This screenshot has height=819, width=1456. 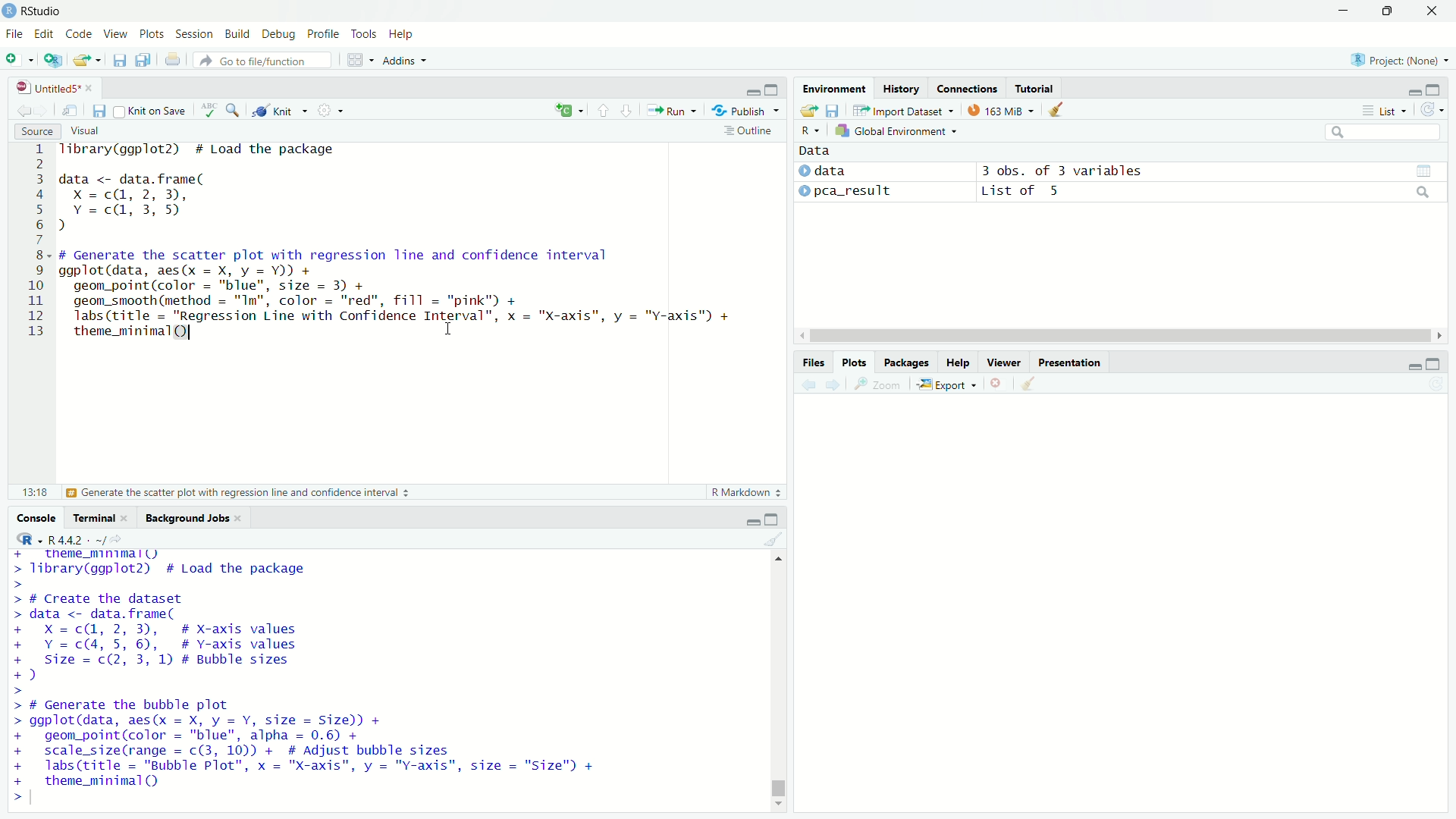 I want to click on expand, so click(x=773, y=89).